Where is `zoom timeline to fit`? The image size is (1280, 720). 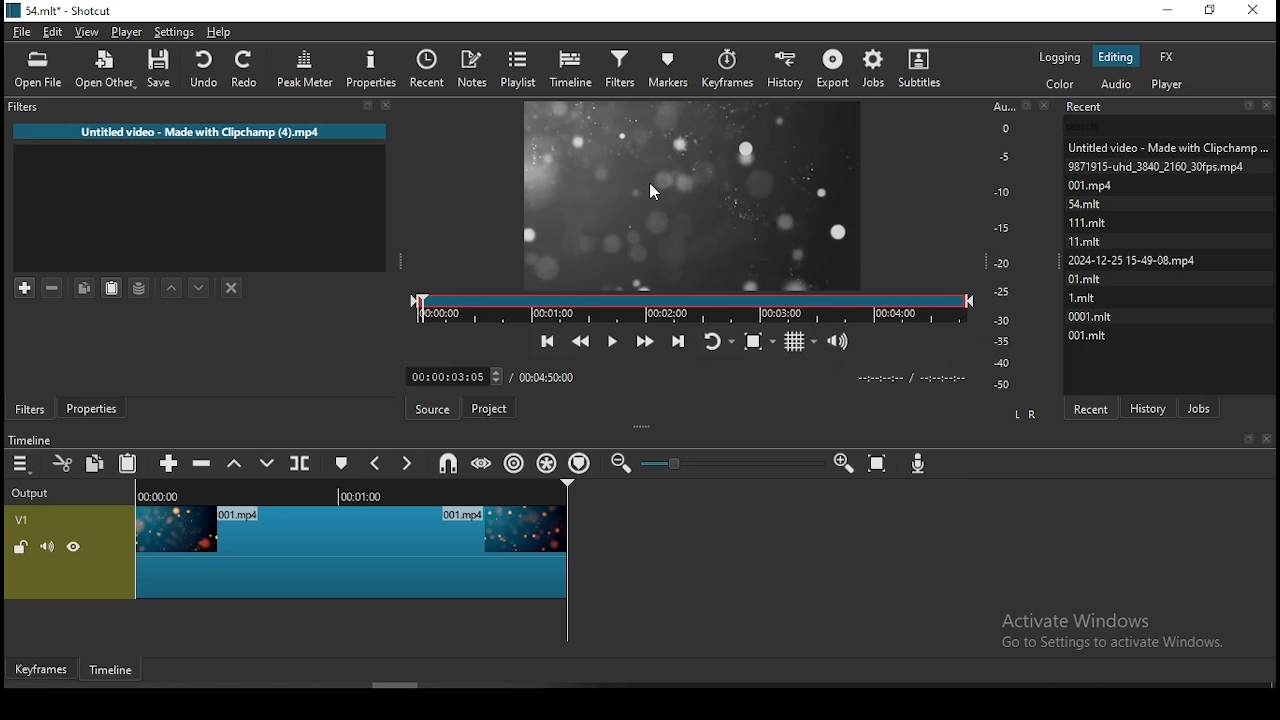
zoom timeline to fit is located at coordinates (878, 466).